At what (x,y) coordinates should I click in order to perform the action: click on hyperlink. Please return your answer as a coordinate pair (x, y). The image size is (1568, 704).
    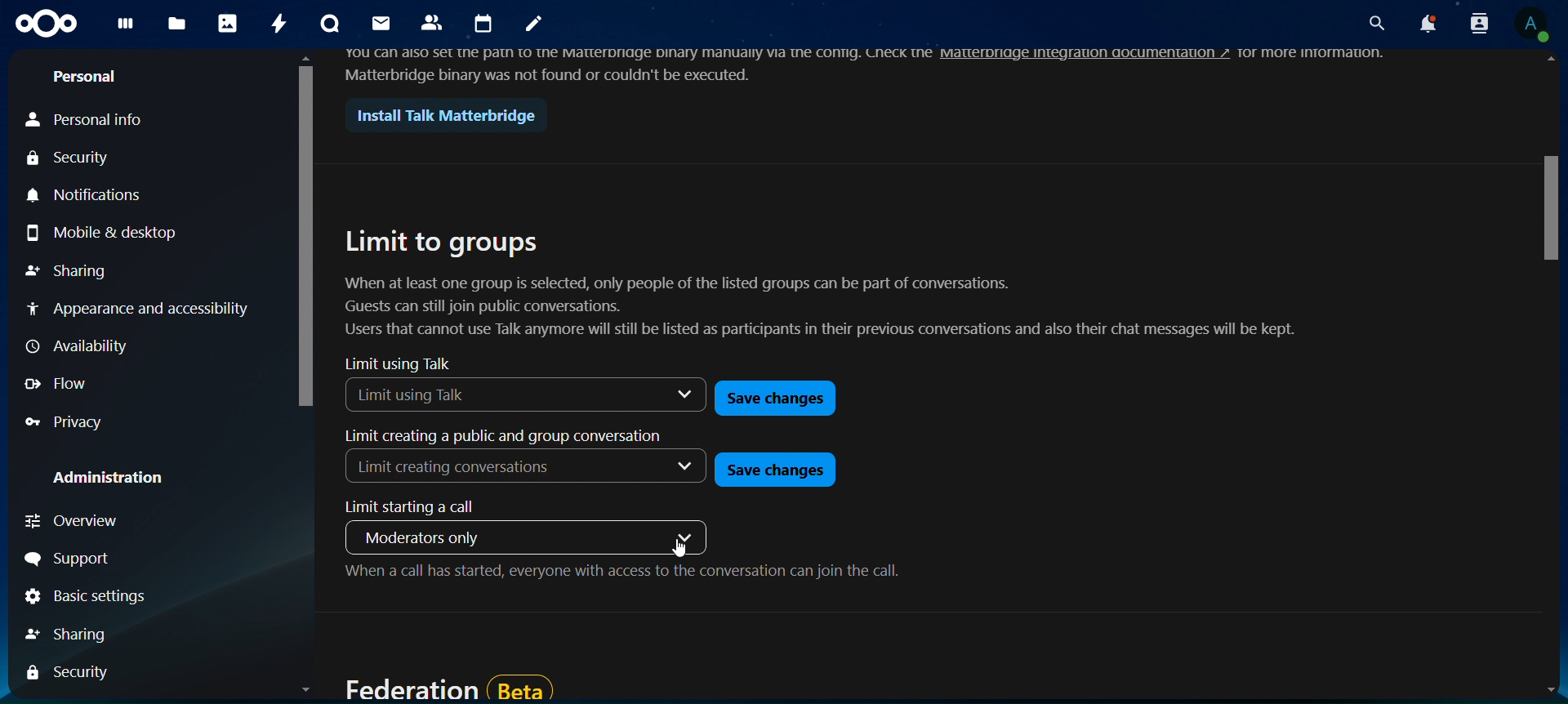
    Looking at the image, I should click on (1086, 53).